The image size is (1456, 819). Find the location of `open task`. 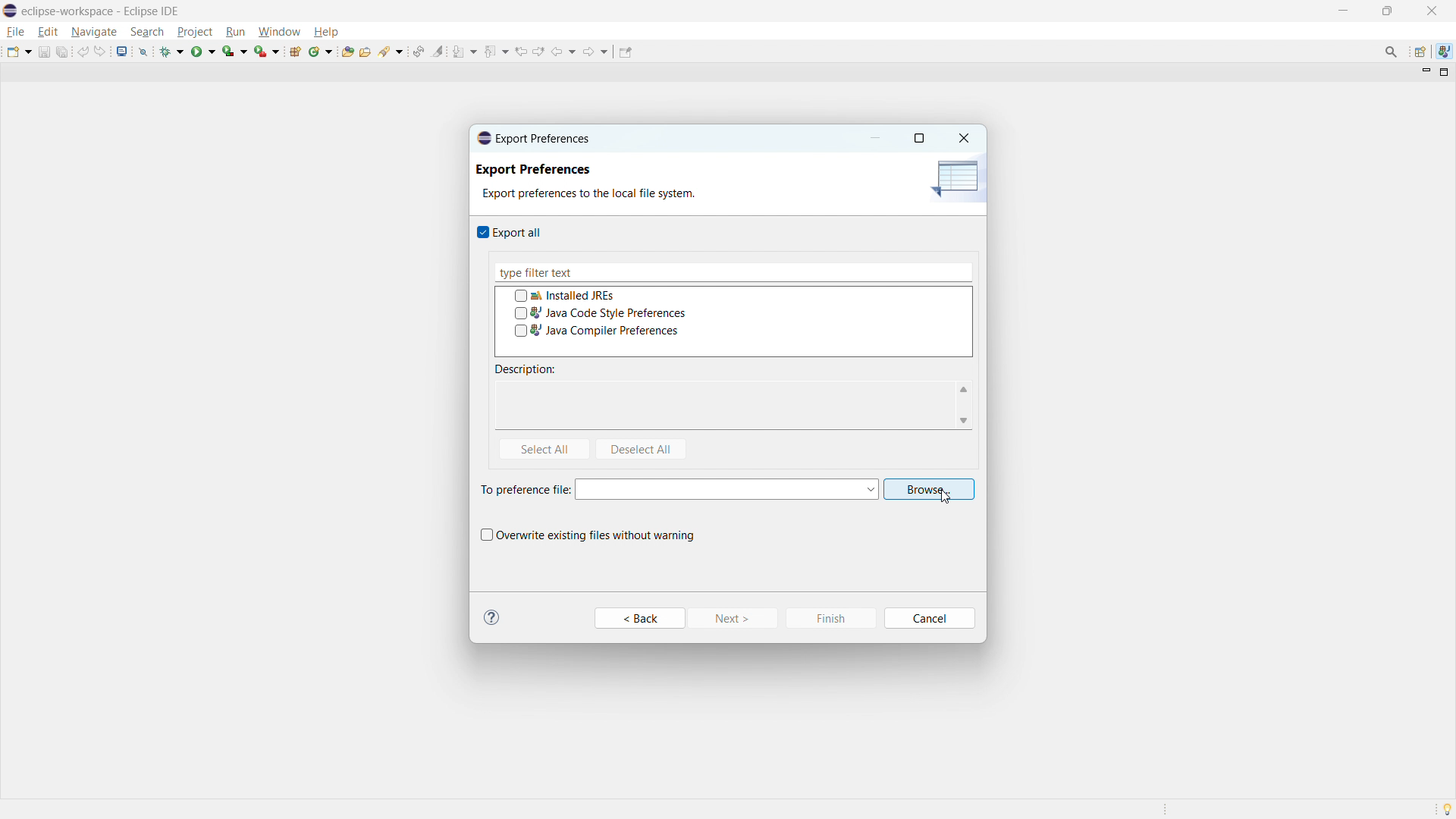

open task is located at coordinates (365, 50).